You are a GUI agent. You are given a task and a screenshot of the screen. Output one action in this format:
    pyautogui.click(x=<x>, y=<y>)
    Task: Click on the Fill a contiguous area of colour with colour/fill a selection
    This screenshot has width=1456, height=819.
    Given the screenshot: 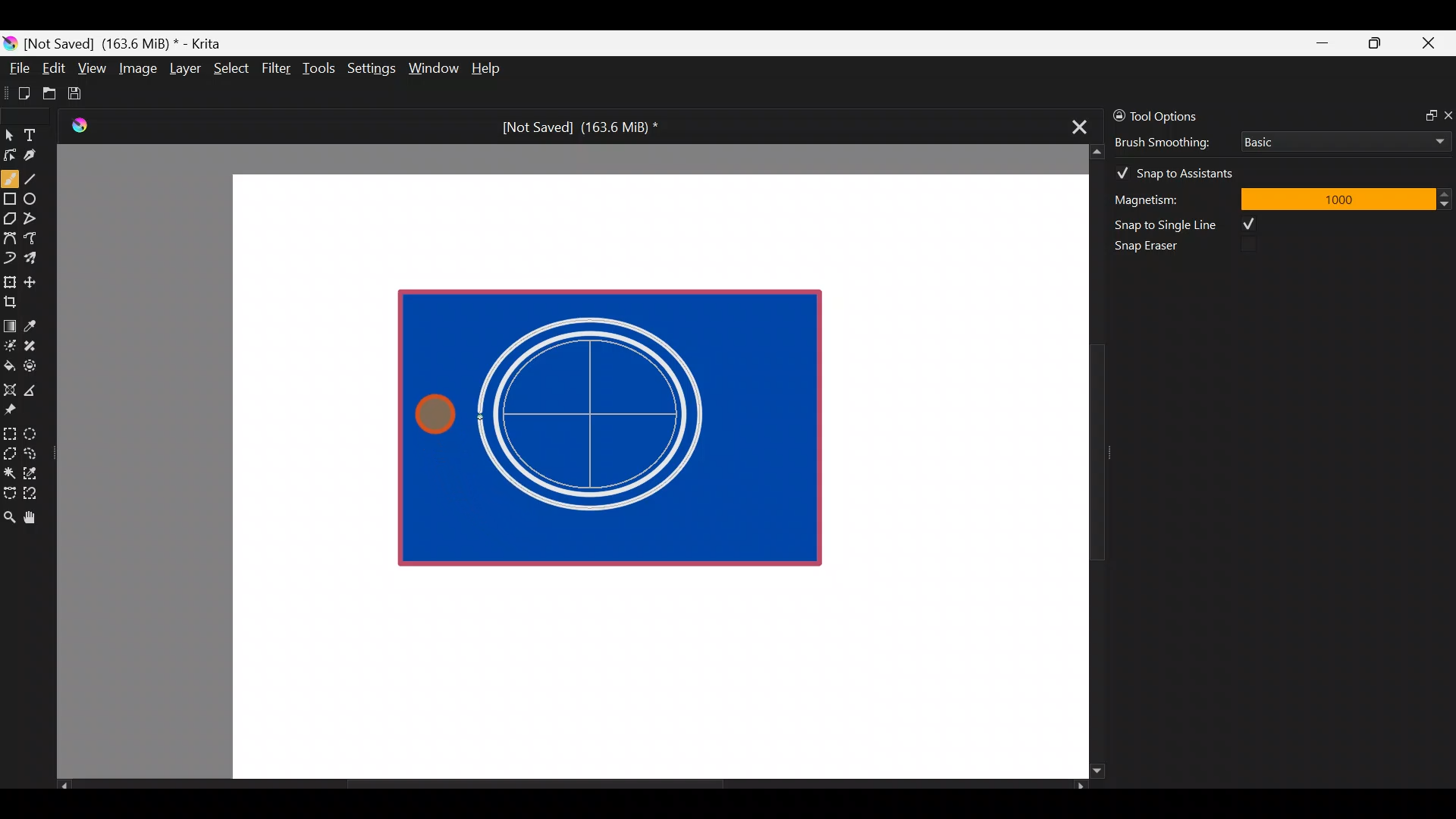 What is the action you would take?
    pyautogui.click(x=9, y=362)
    